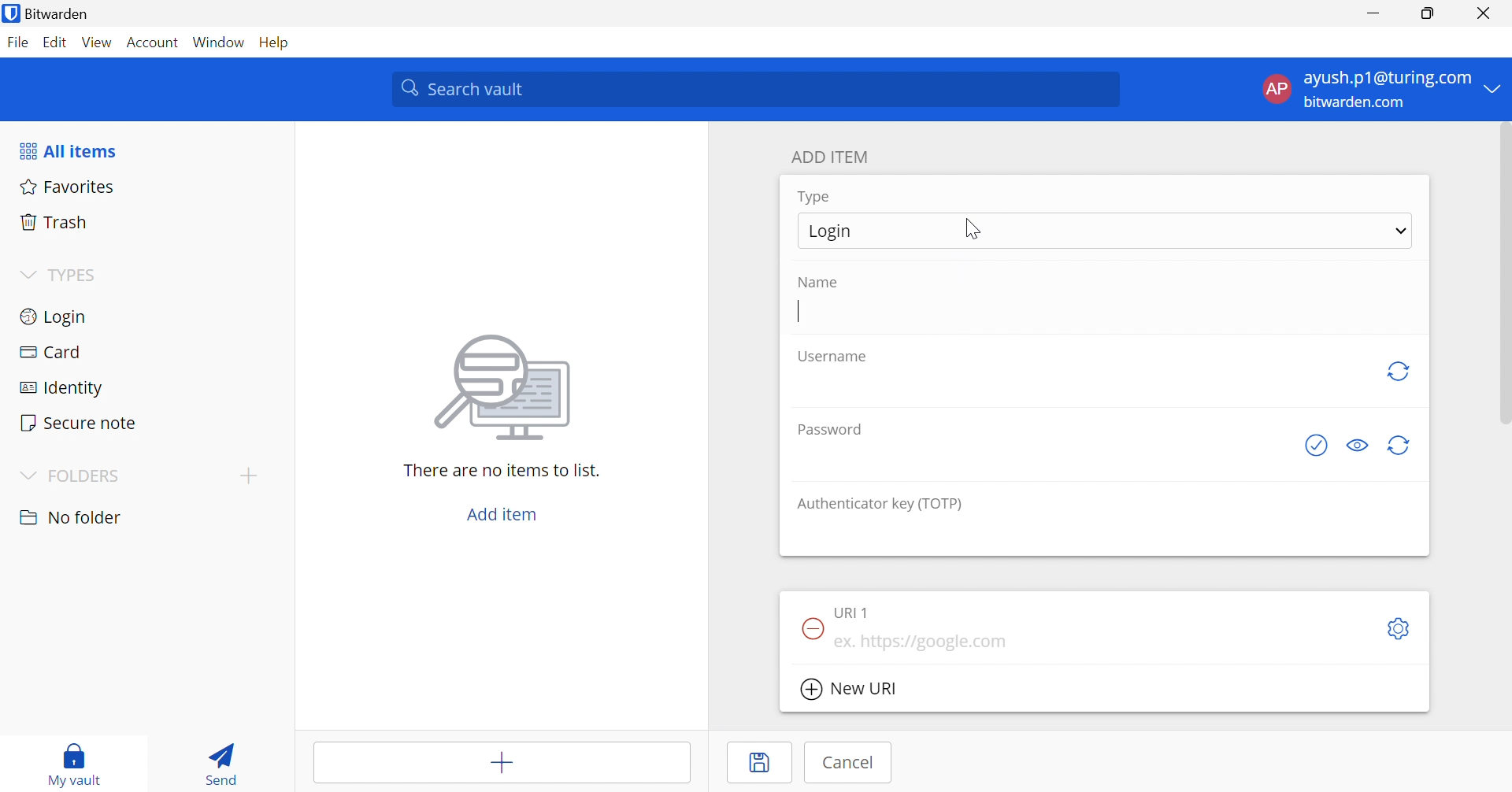 Image resolution: width=1512 pixels, height=792 pixels. Describe the element at coordinates (1080, 387) in the screenshot. I see `add username` at that location.